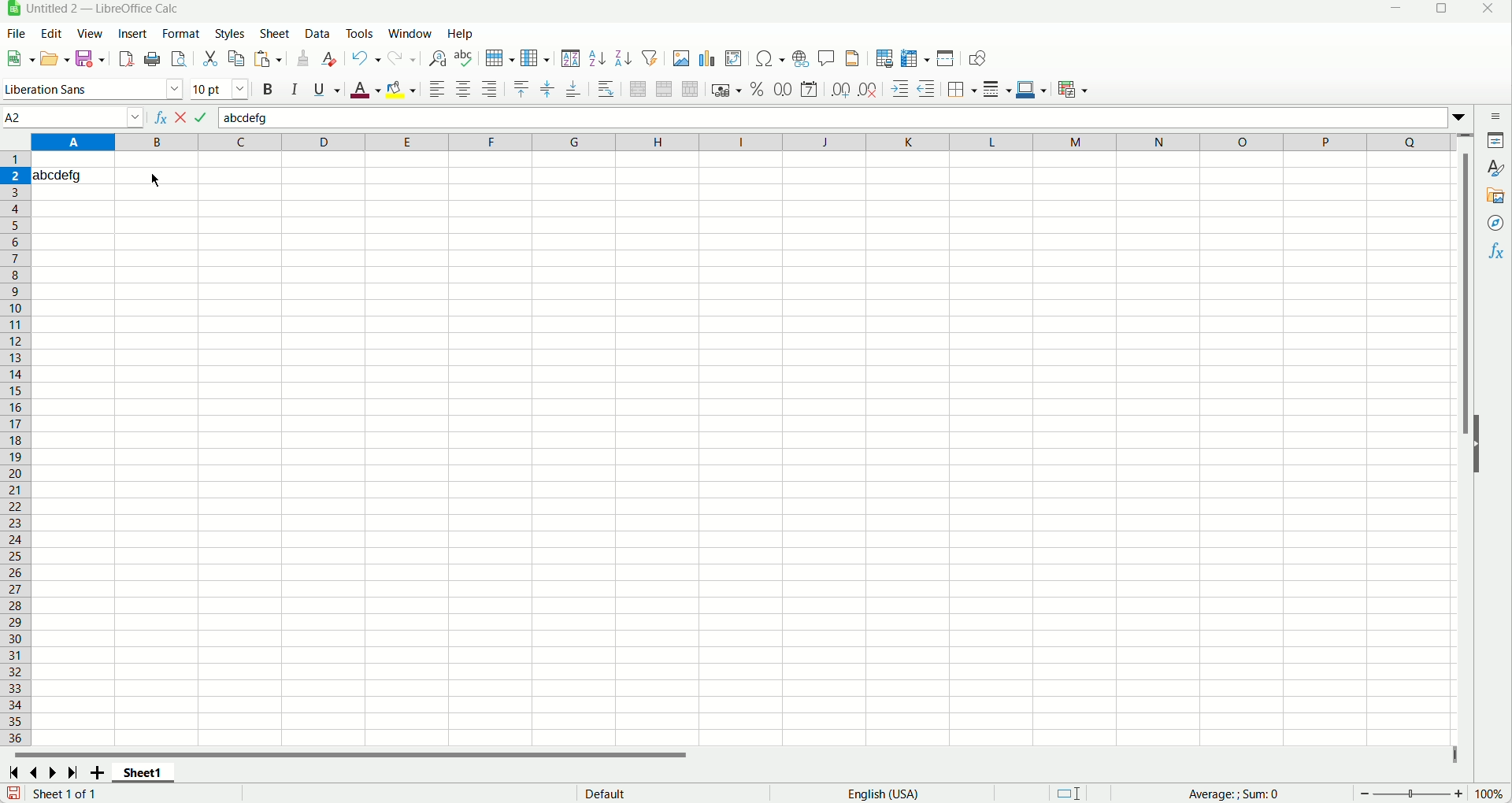  I want to click on decrease indent, so click(927, 88).